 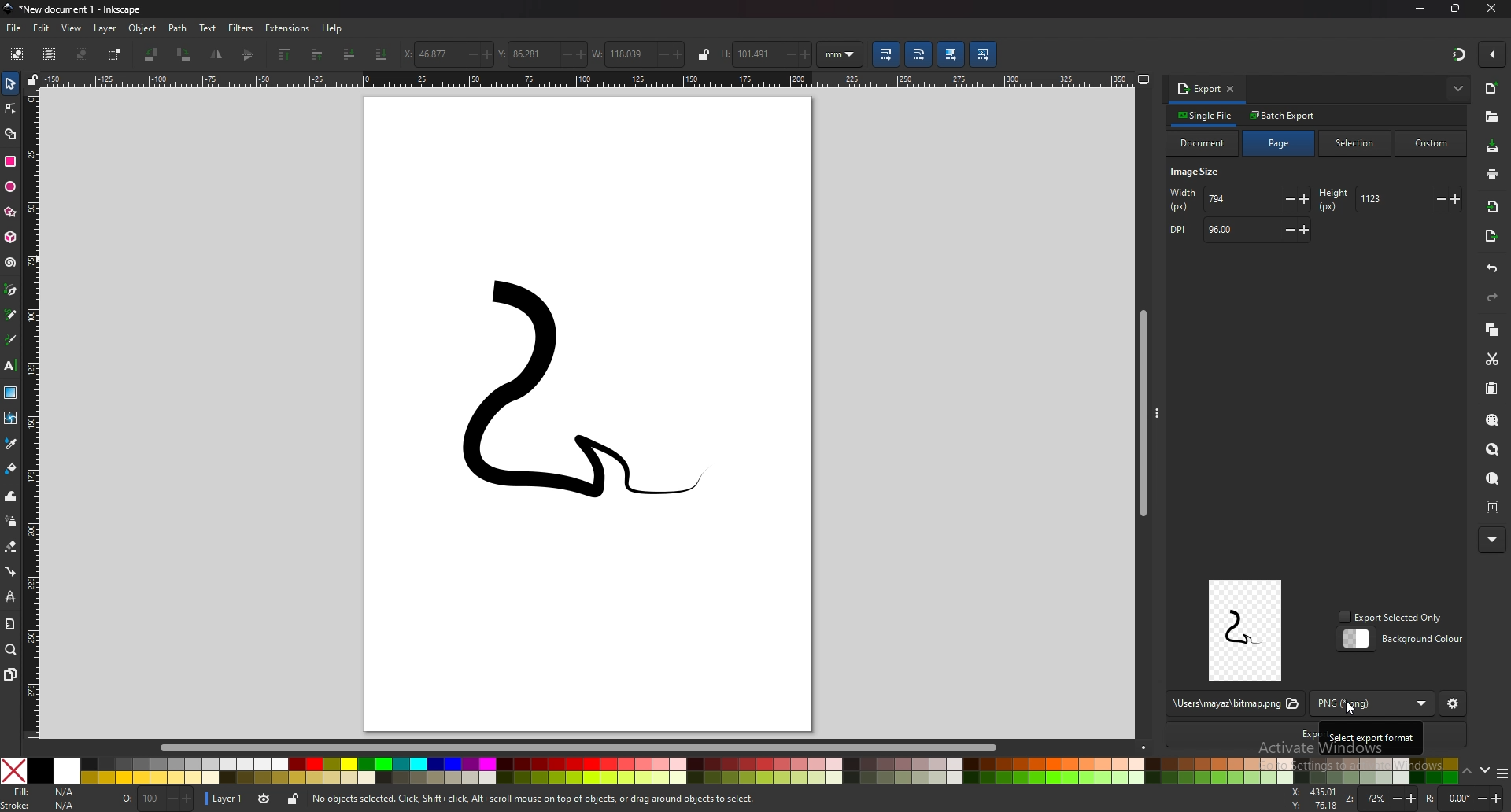 I want to click on height, so click(x=1388, y=199).